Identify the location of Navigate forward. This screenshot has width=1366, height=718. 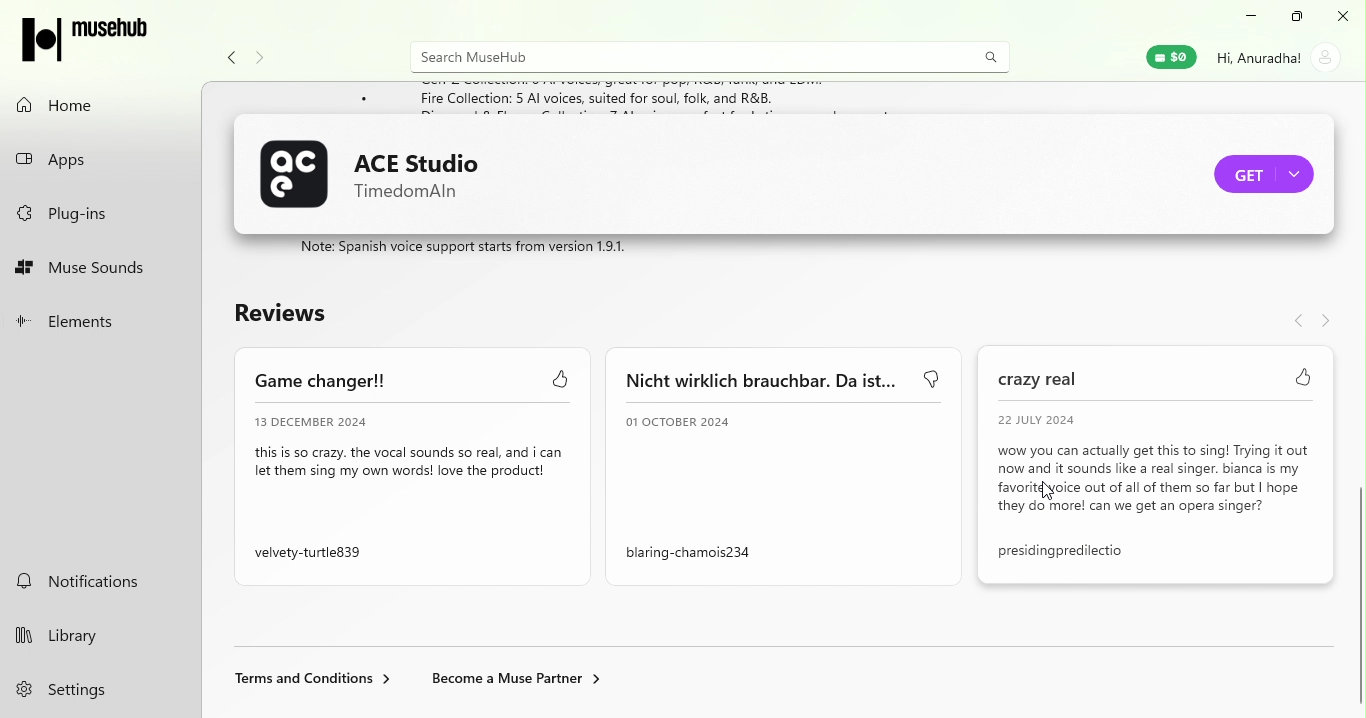
(1327, 322).